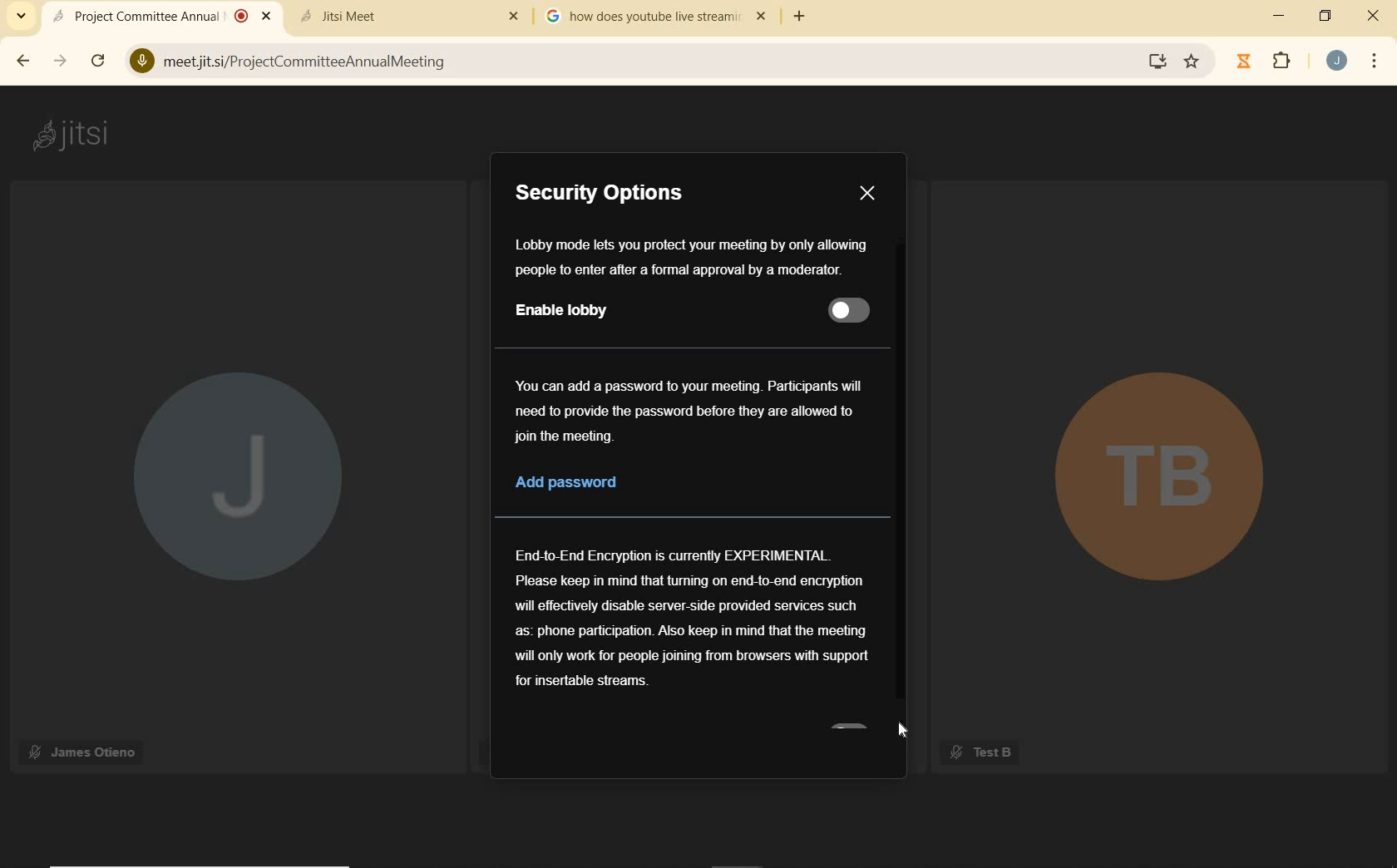 The height and width of the screenshot is (868, 1397). I want to click on slider, so click(850, 311).